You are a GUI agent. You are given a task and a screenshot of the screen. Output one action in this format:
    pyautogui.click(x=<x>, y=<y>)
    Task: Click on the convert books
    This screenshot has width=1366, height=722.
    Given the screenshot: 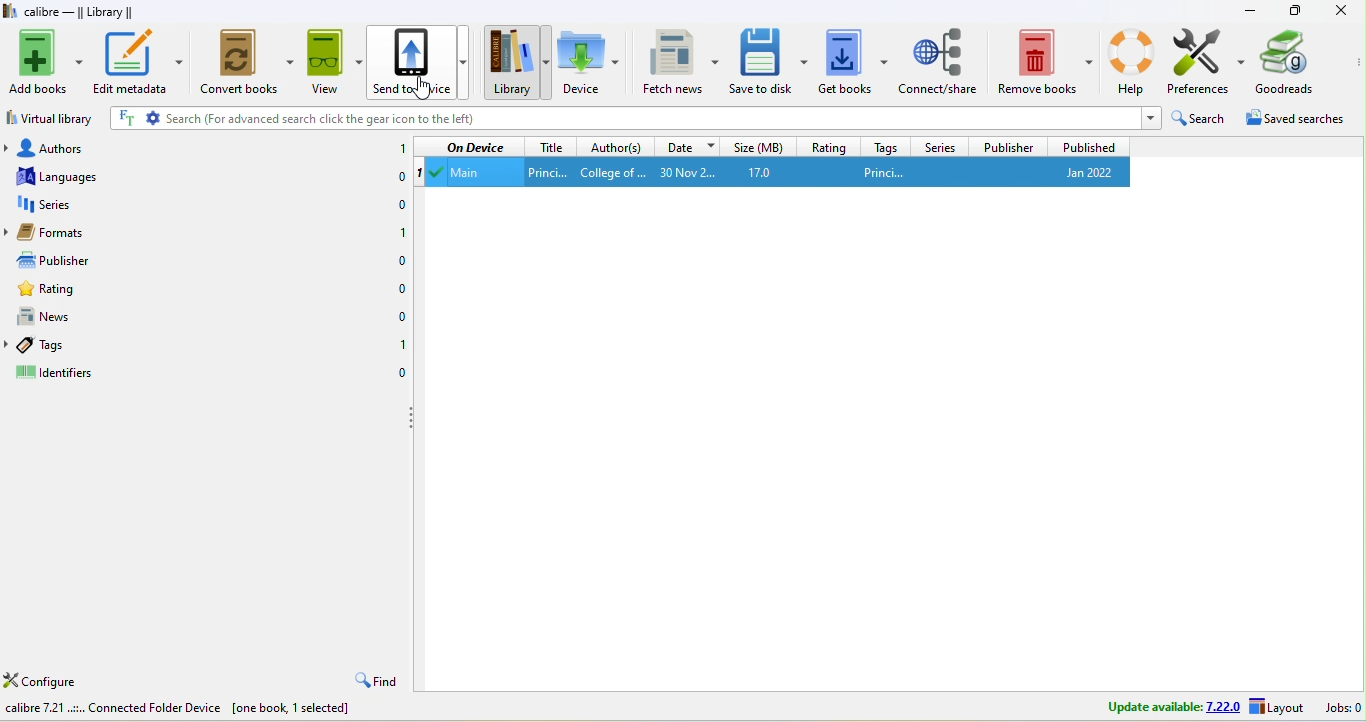 What is the action you would take?
    pyautogui.click(x=247, y=65)
    